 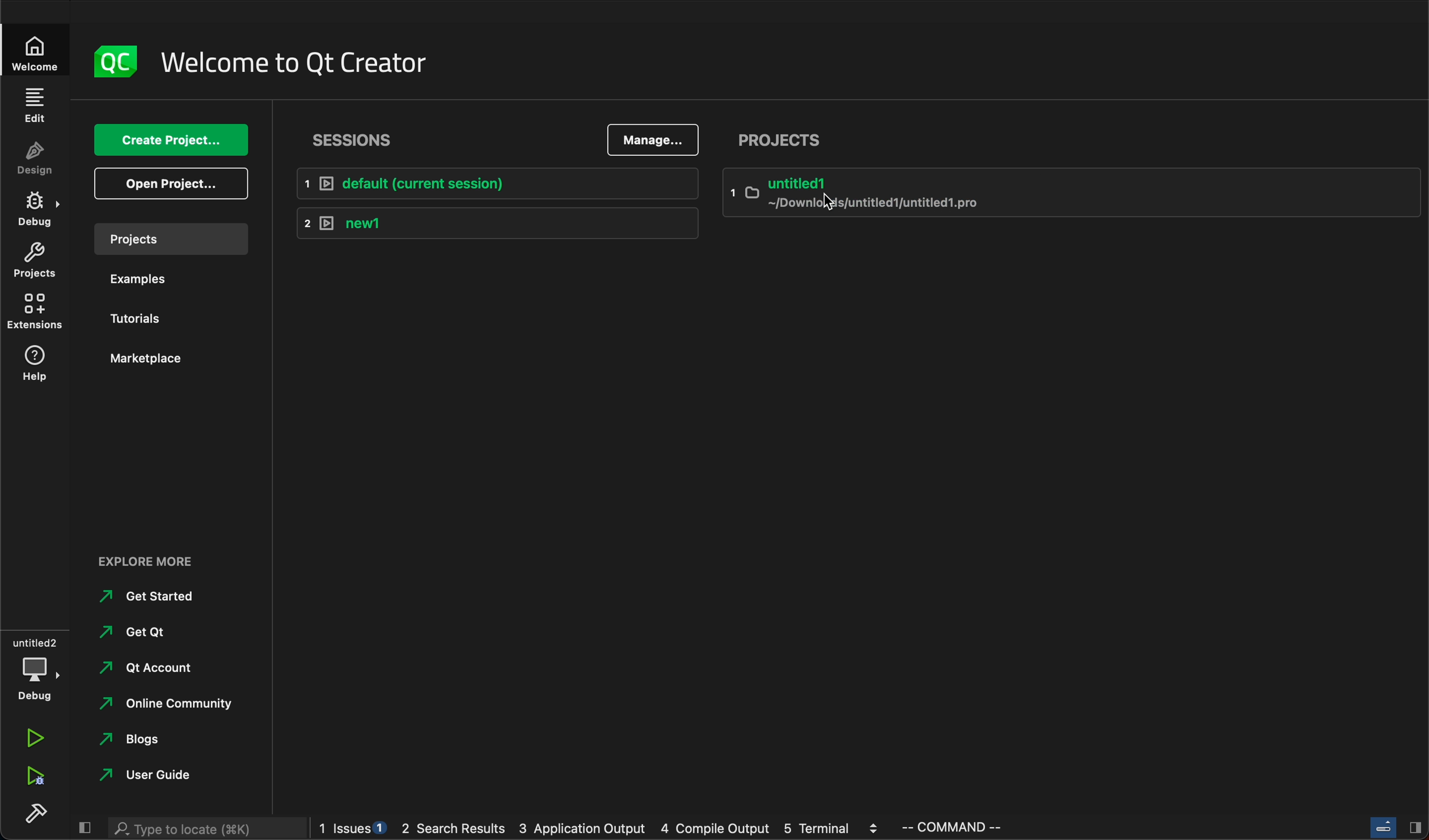 What do you see at coordinates (311, 62) in the screenshot?
I see `welcome to qt` at bounding box center [311, 62].